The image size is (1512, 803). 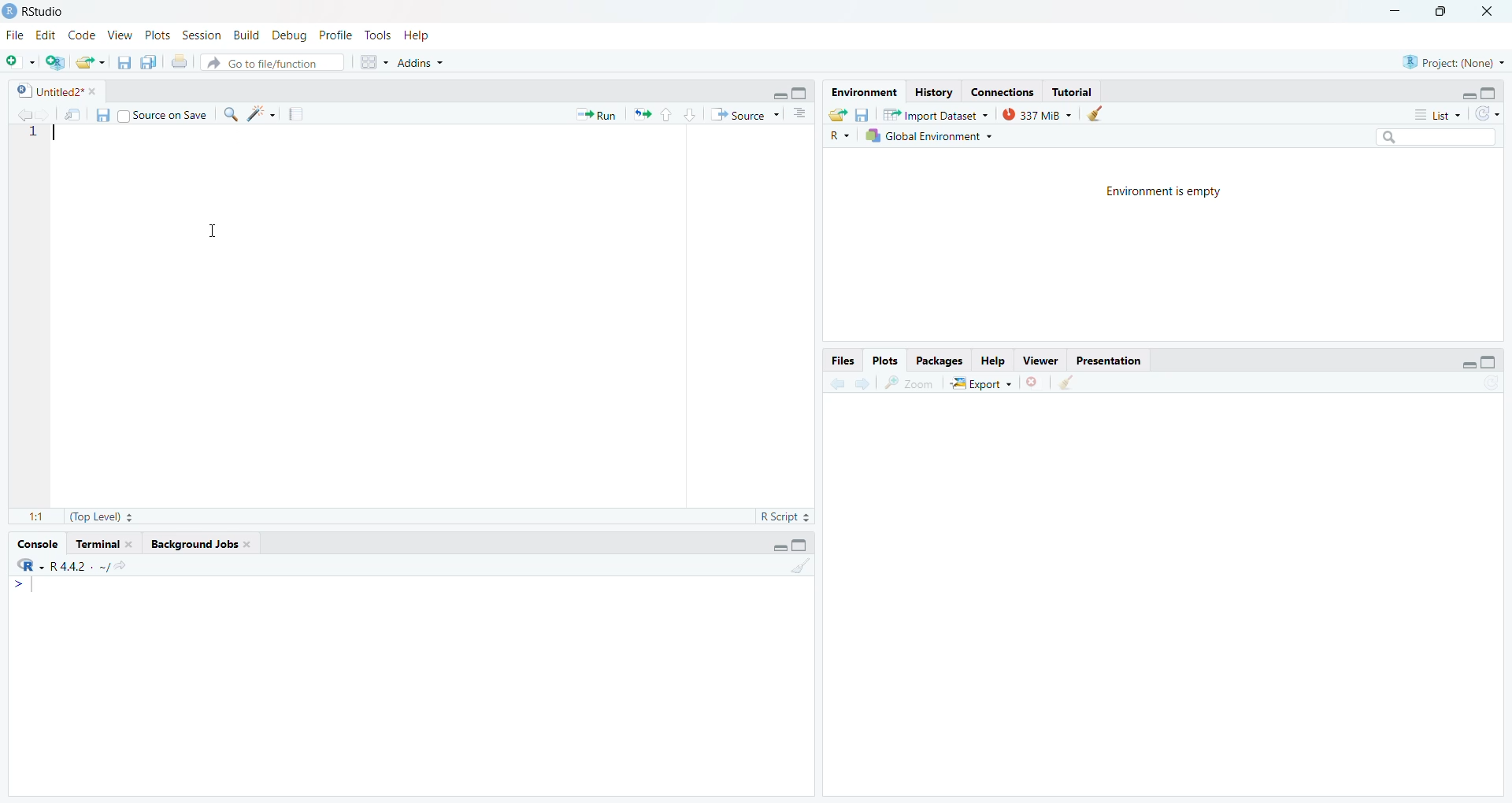 I want to click on 1:1, so click(x=35, y=516).